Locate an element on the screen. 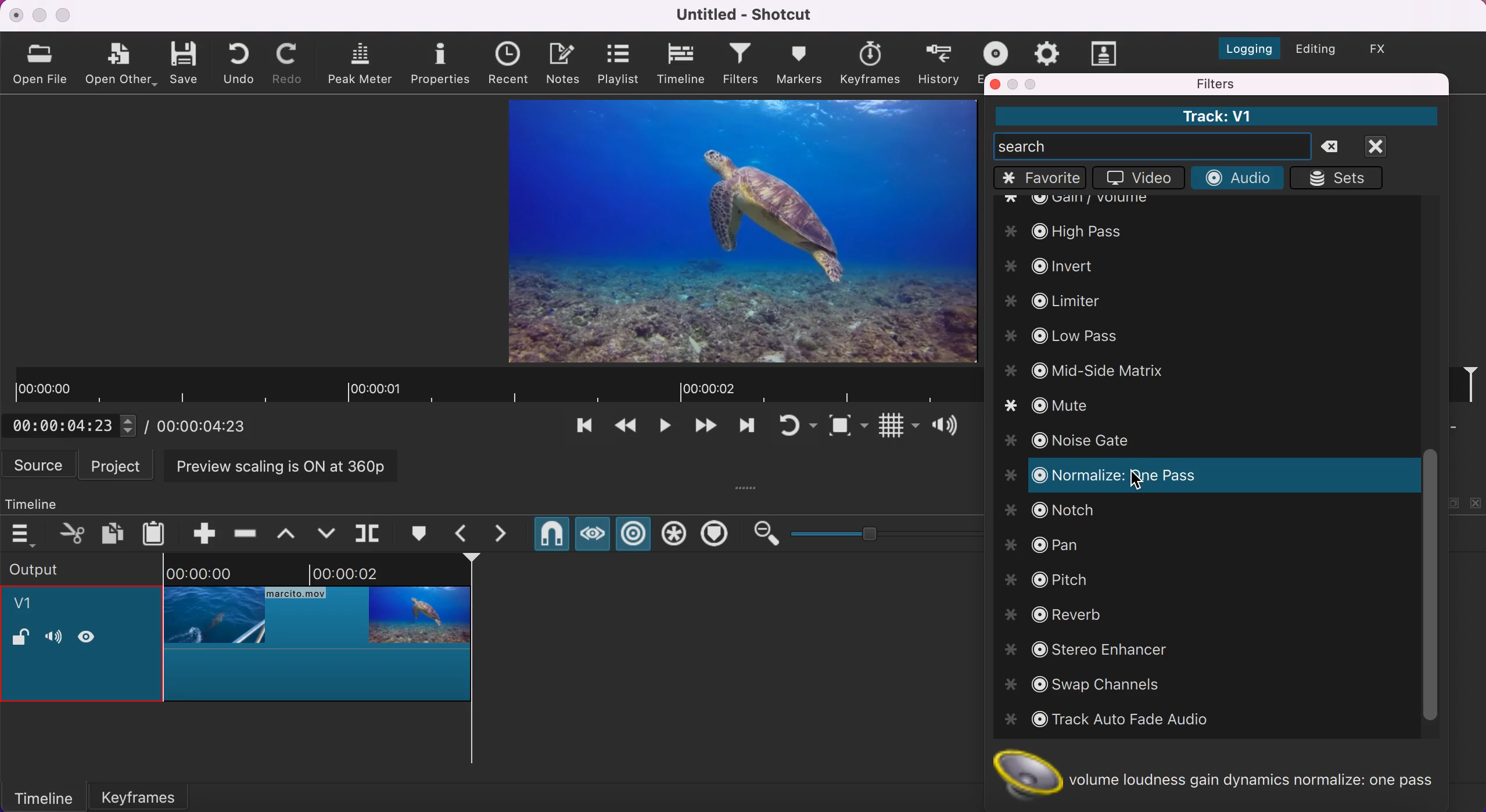 The width and height of the screenshot is (1486, 812). delete is located at coordinates (1336, 148).